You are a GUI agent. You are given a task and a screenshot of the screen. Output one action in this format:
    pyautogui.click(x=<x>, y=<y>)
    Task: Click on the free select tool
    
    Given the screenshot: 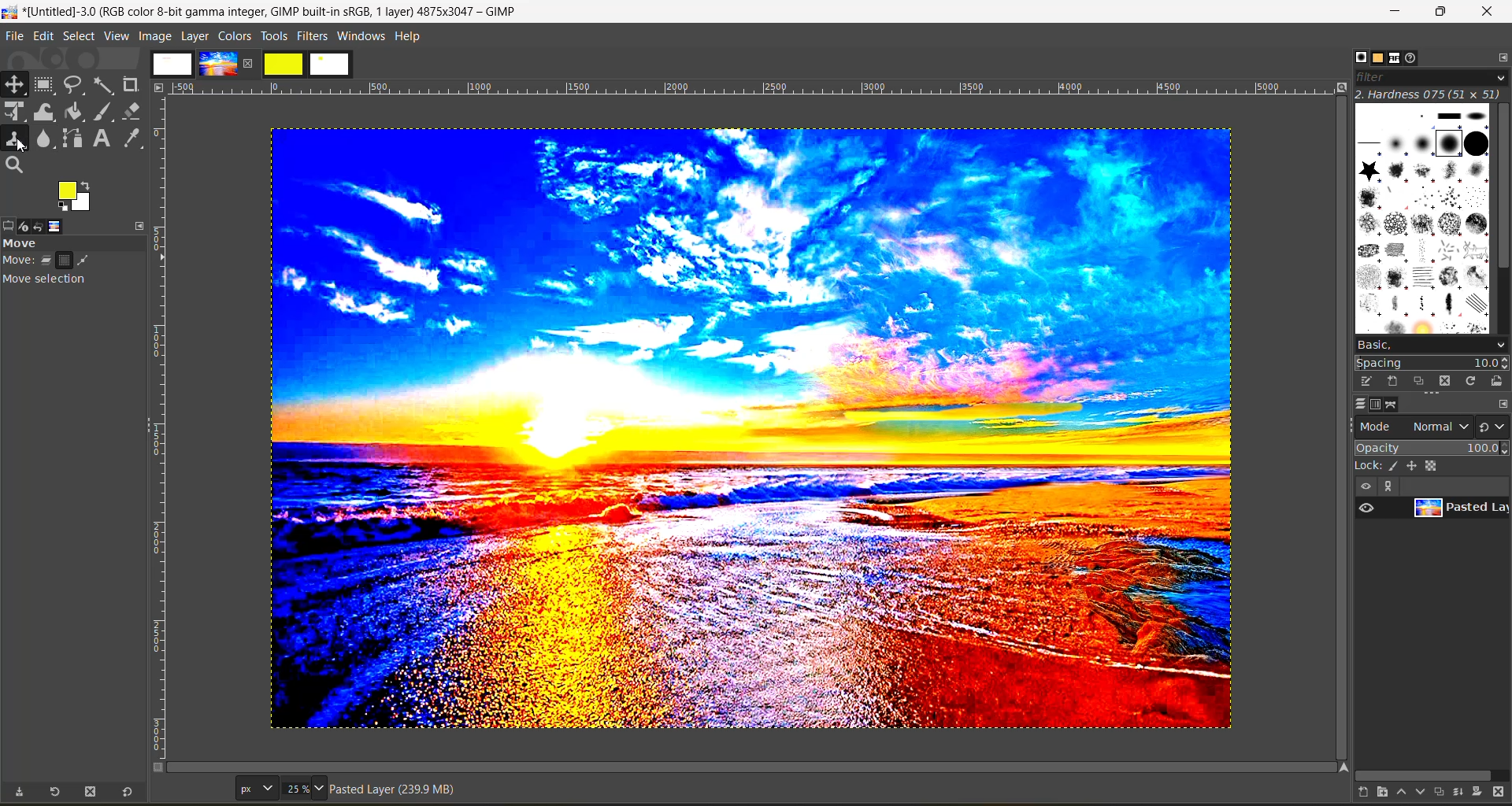 What is the action you would take?
    pyautogui.click(x=76, y=84)
    